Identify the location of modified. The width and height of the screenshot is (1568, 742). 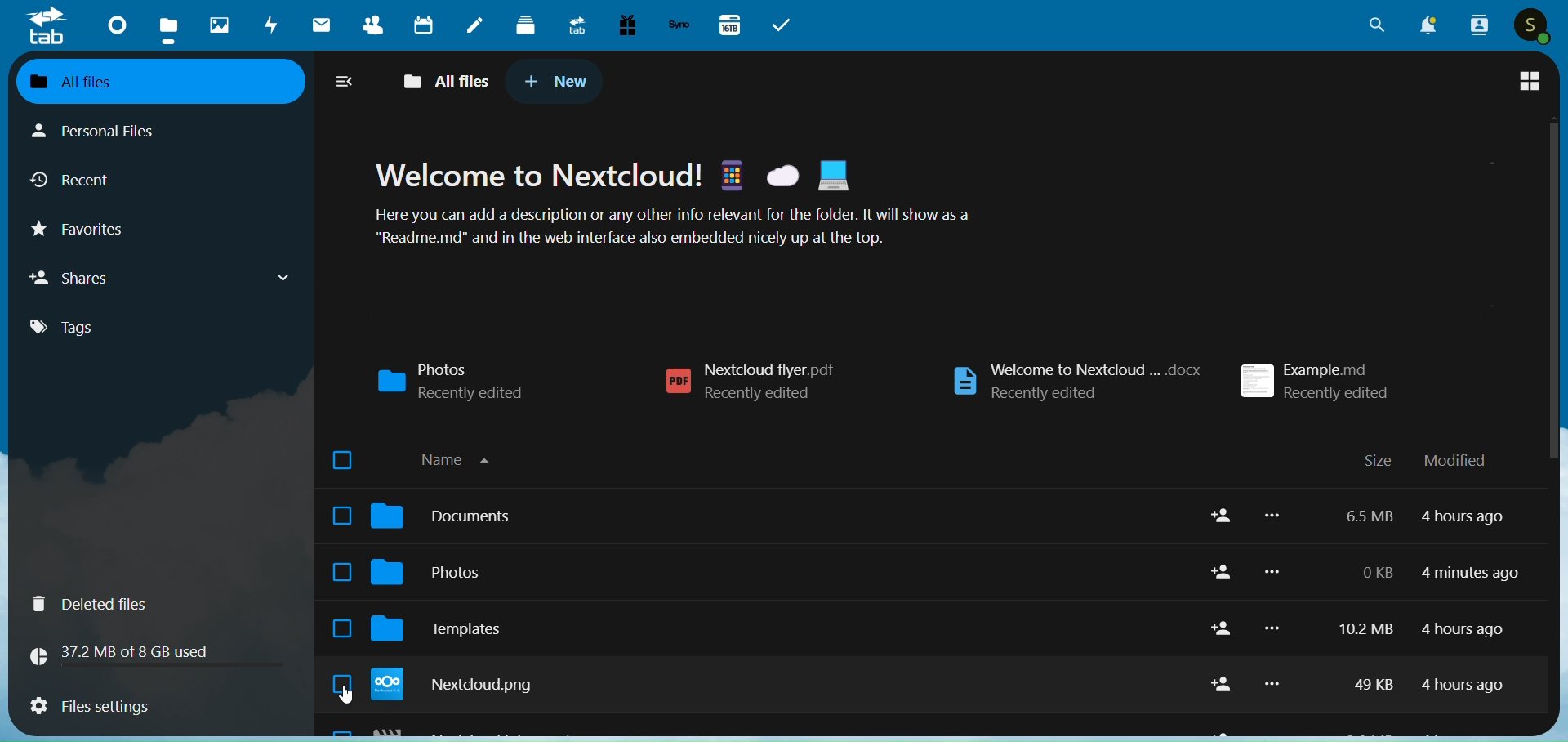
(1456, 461).